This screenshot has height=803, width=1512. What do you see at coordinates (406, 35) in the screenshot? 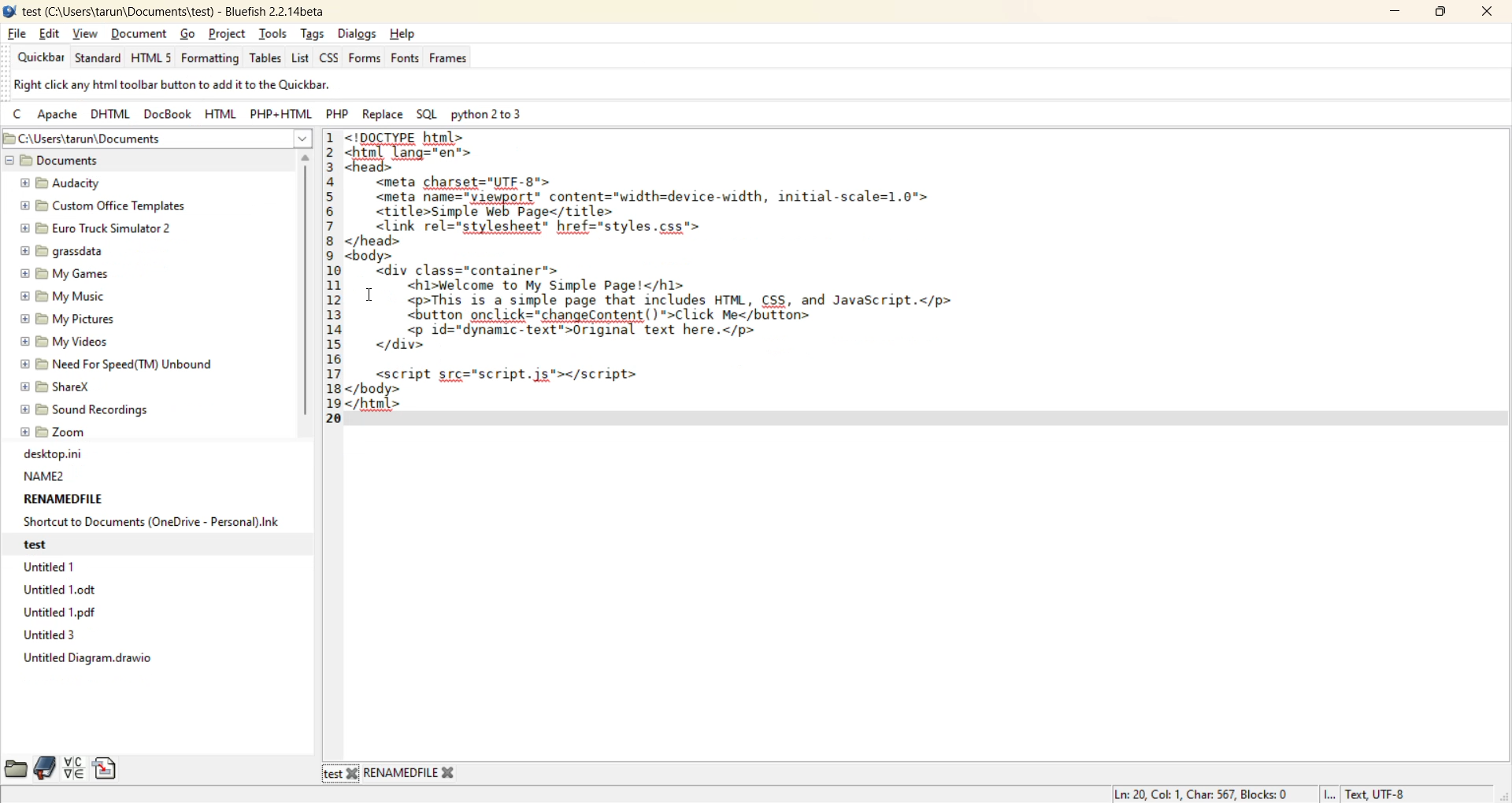
I see `help` at bounding box center [406, 35].